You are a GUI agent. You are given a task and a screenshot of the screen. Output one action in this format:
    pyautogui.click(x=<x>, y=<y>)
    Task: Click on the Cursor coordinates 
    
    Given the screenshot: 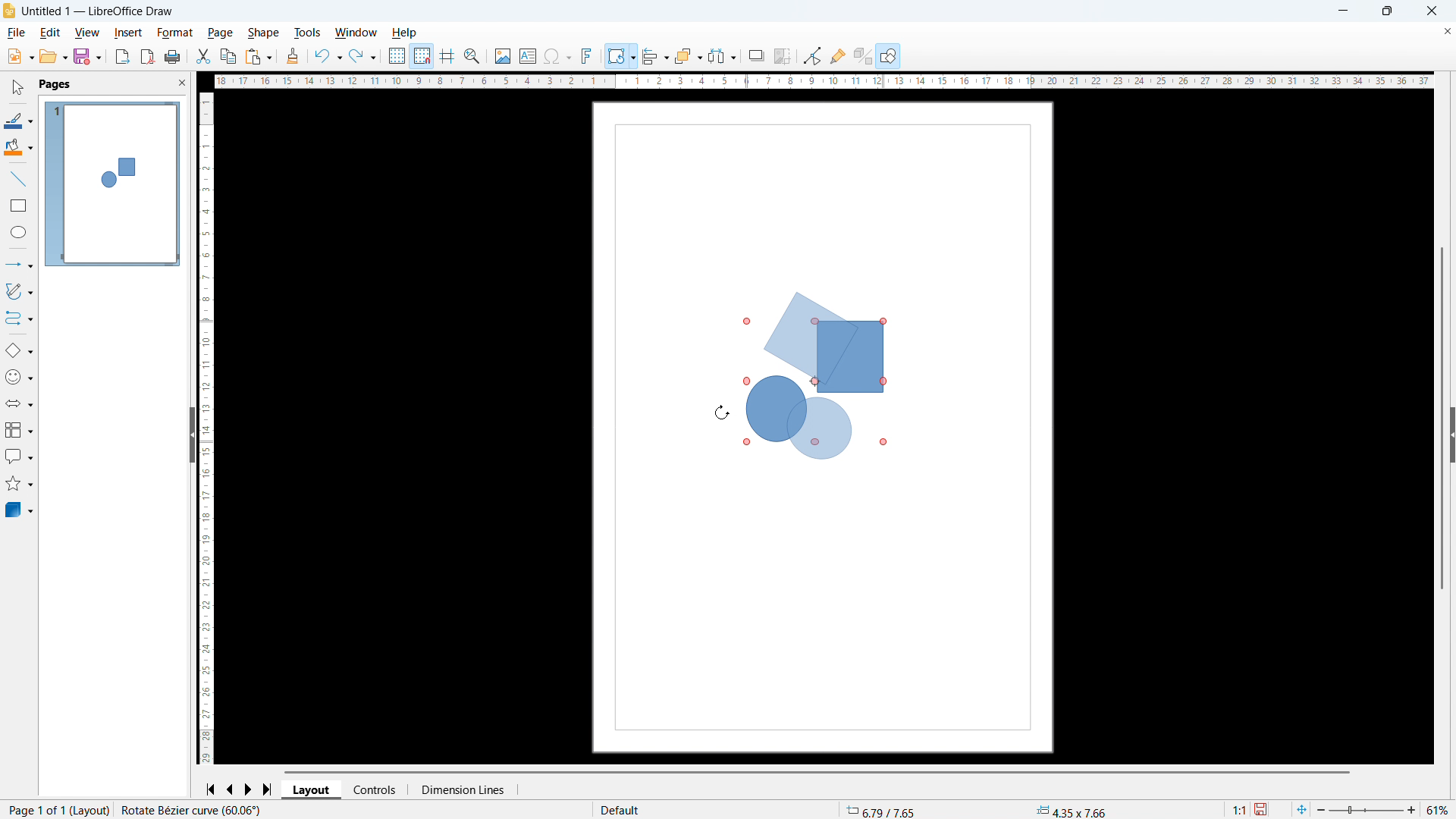 What is the action you would take?
    pyautogui.click(x=884, y=810)
    